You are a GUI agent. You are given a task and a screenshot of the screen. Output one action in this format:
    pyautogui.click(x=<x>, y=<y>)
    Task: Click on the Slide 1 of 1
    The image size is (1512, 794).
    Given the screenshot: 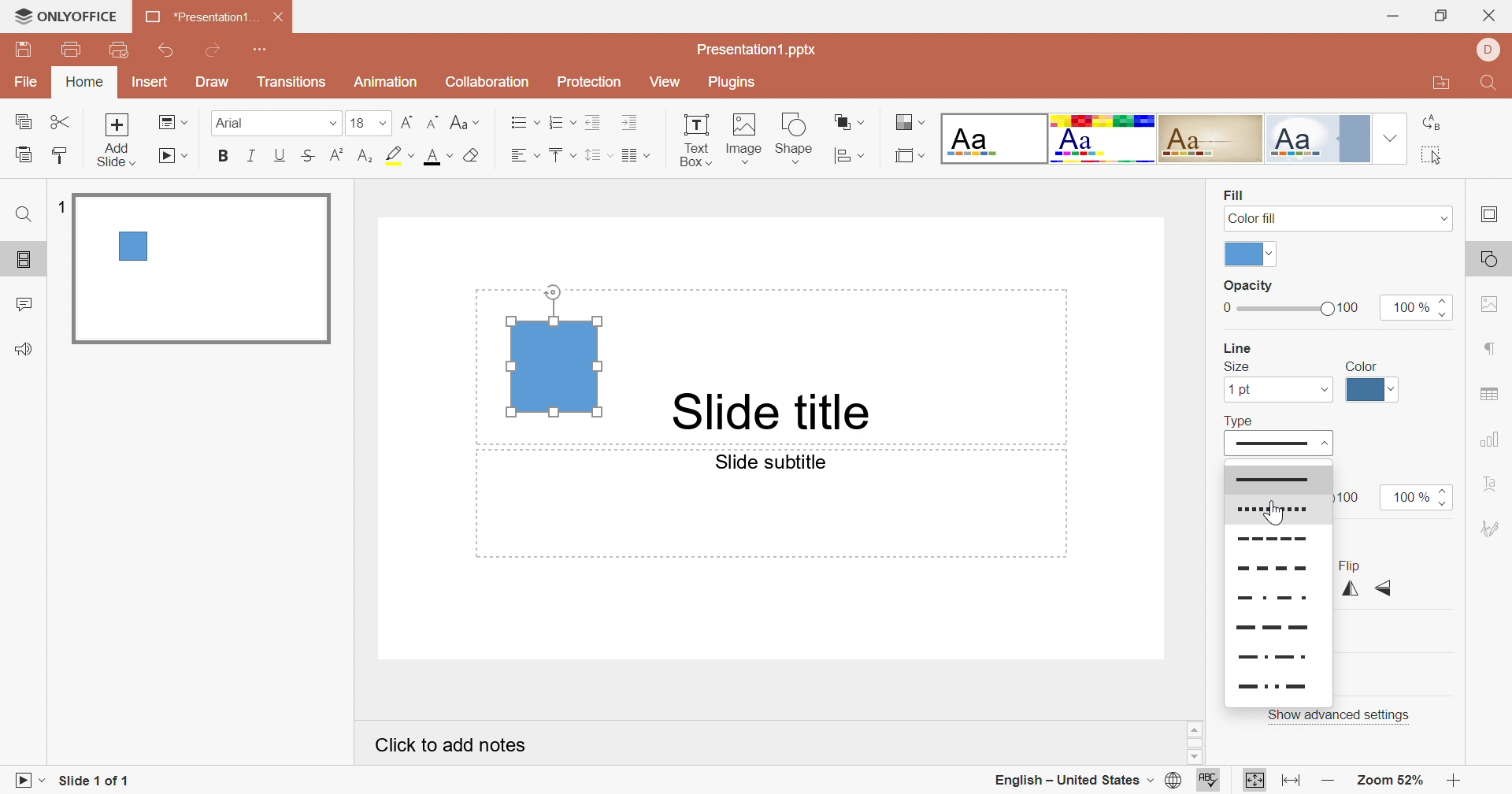 What is the action you would take?
    pyautogui.click(x=97, y=781)
    